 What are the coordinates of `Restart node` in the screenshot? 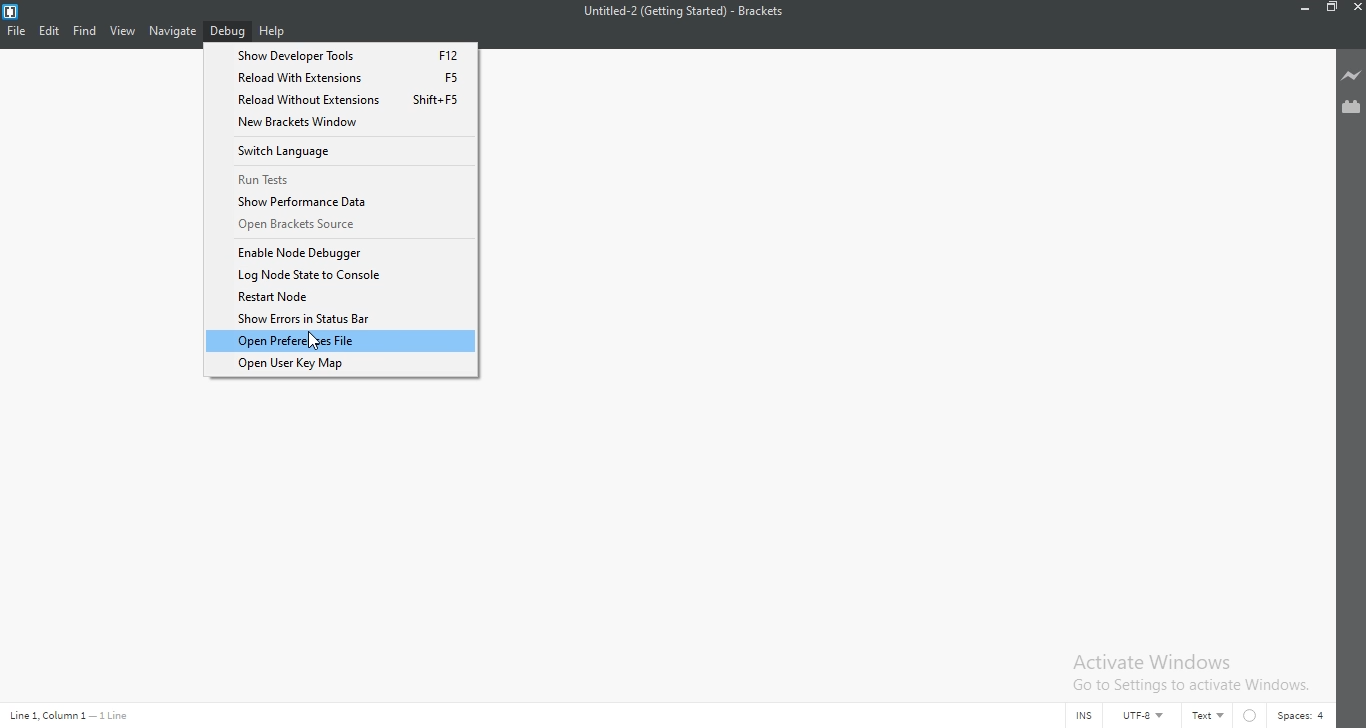 It's located at (341, 296).